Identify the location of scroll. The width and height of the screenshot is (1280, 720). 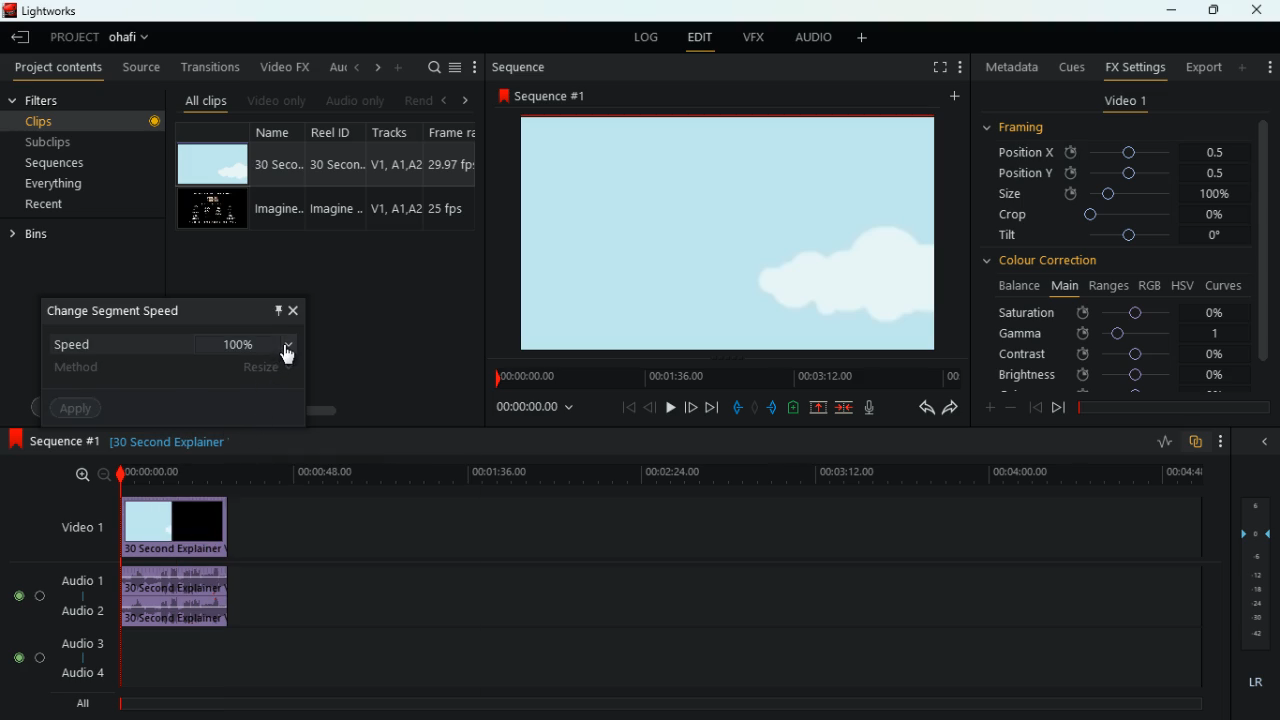
(323, 410).